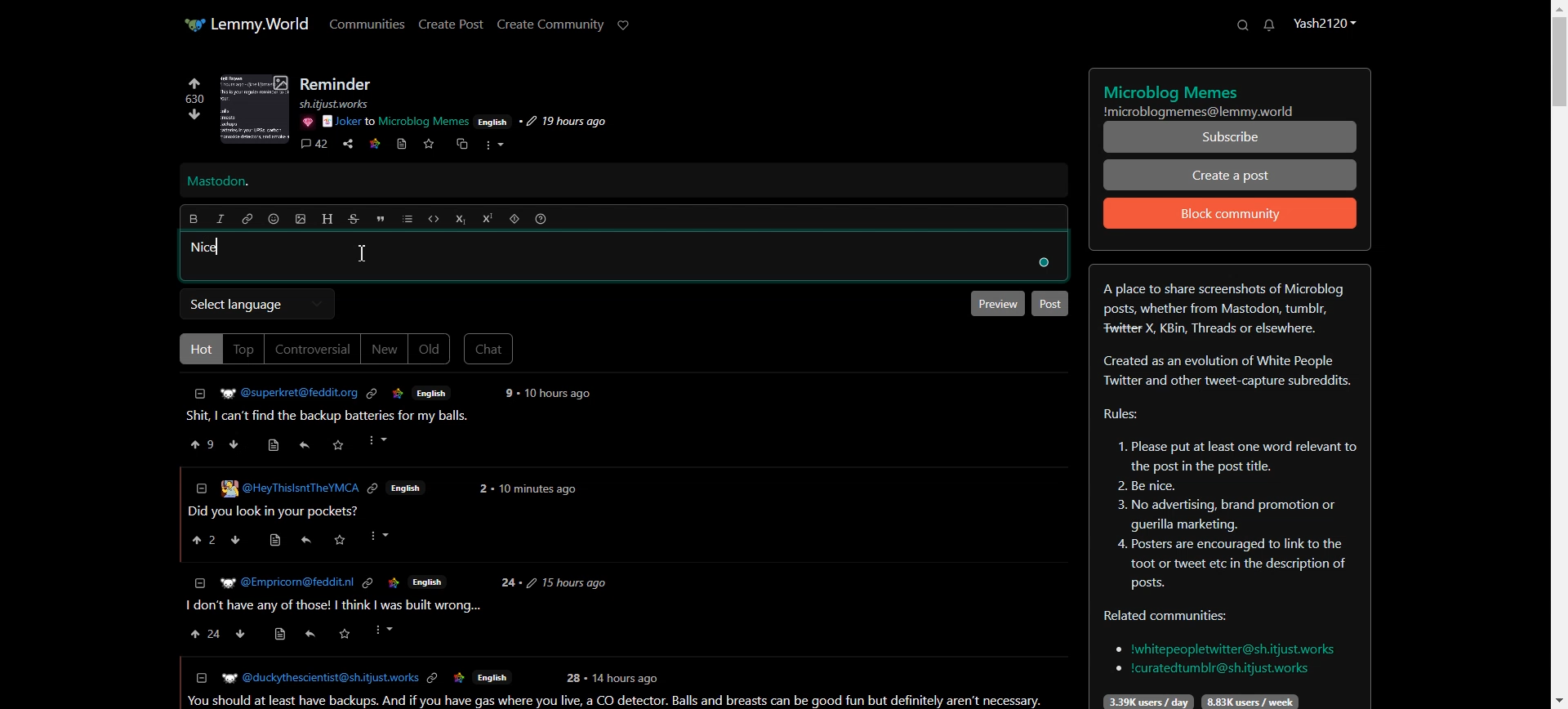 The height and width of the screenshot is (709, 1568). Describe the element at coordinates (327, 219) in the screenshot. I see `Header` at that location.